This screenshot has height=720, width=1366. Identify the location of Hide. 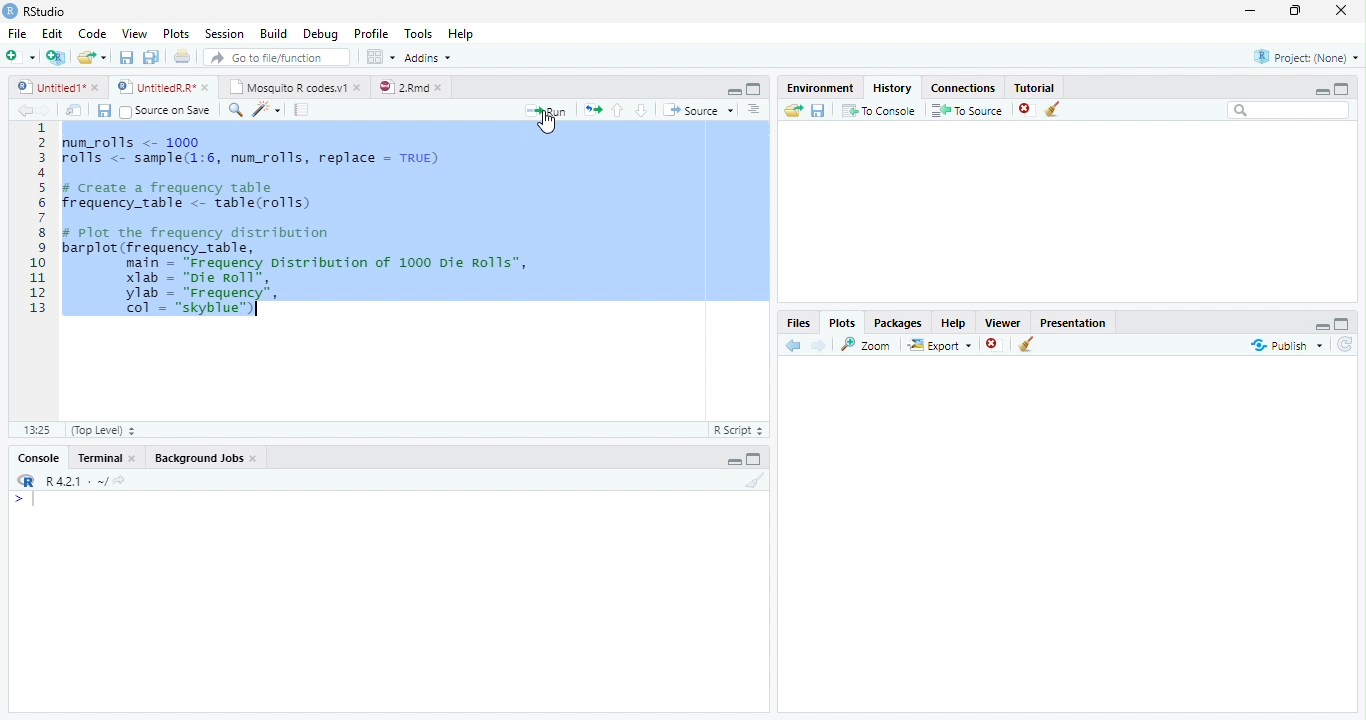
(731, 461).